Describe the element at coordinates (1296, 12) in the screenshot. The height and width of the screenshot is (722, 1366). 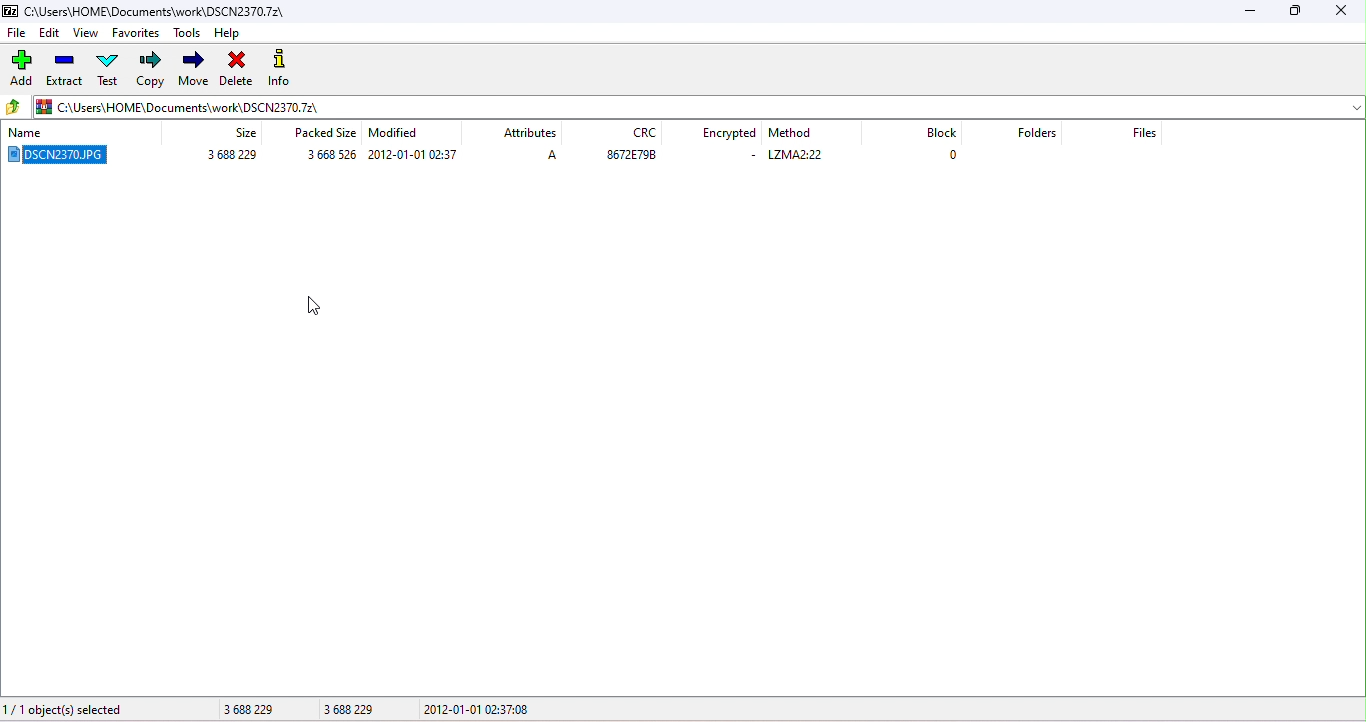
I see `maximize` at that location.